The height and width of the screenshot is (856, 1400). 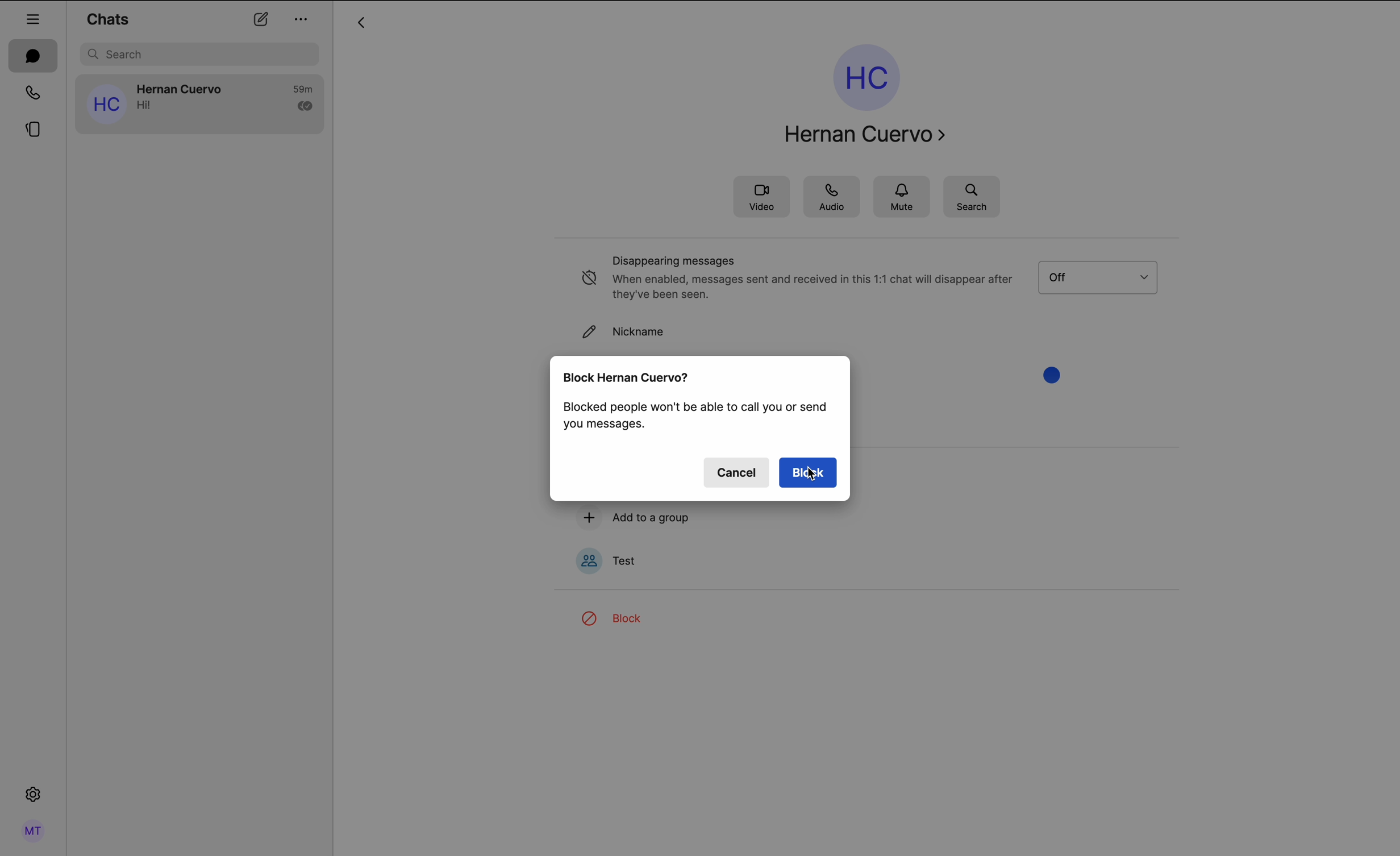 What do you see at coordinates (947, 131) in the screenshot?
I see `navigate arrow` at bounding box center [947, 131].